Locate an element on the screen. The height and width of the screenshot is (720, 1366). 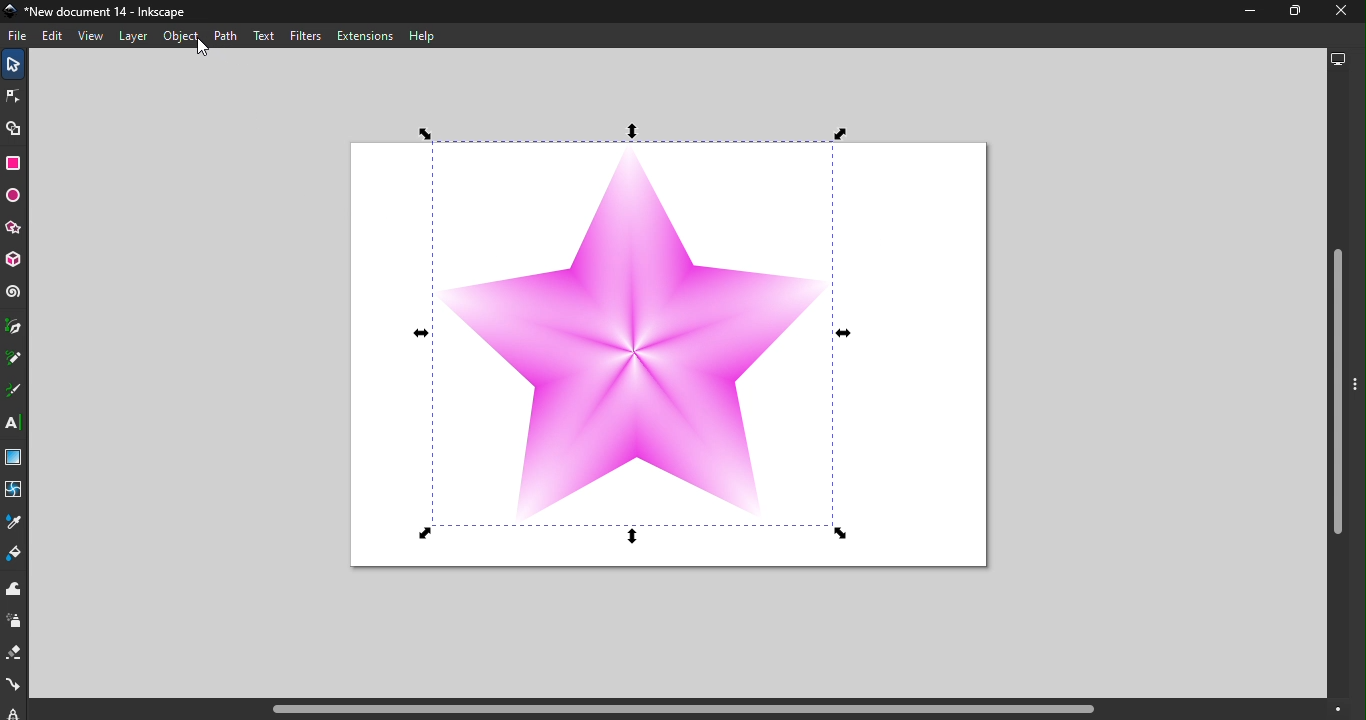
Edit is located at coordinates (53, 37).